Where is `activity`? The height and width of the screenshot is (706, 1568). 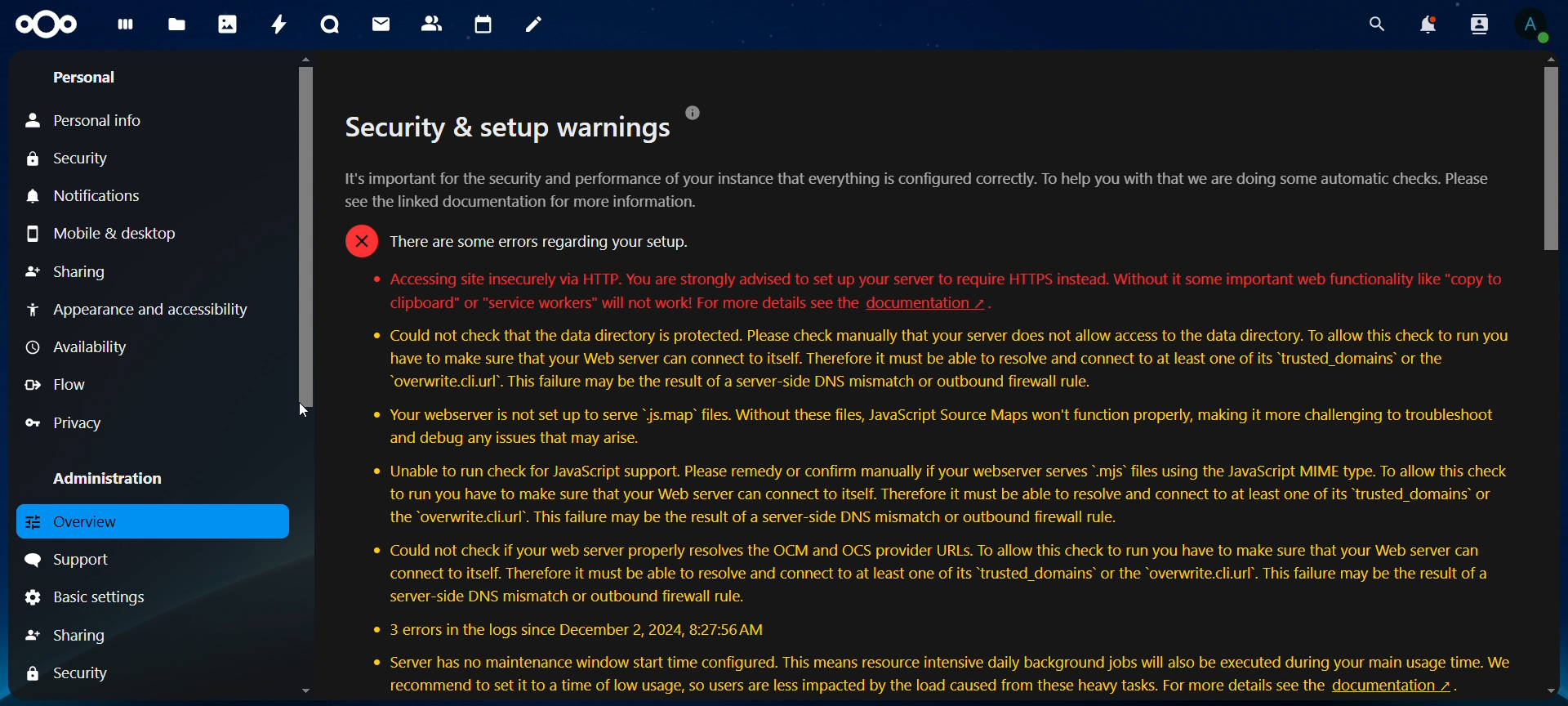
activity is located at coordinates (281, 25).